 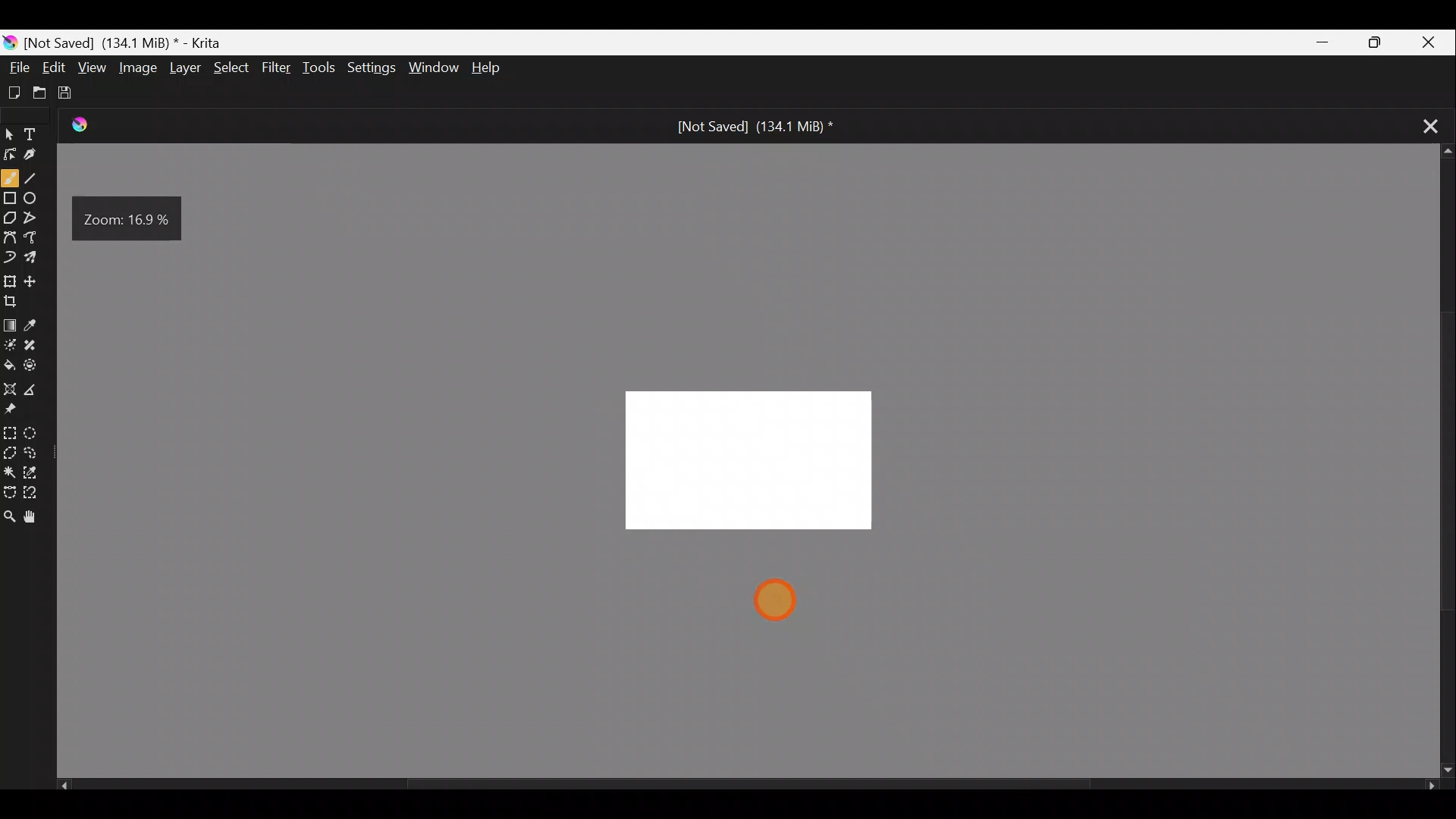 I want to click on Freehand brush tool, so click(x=10, y=177).